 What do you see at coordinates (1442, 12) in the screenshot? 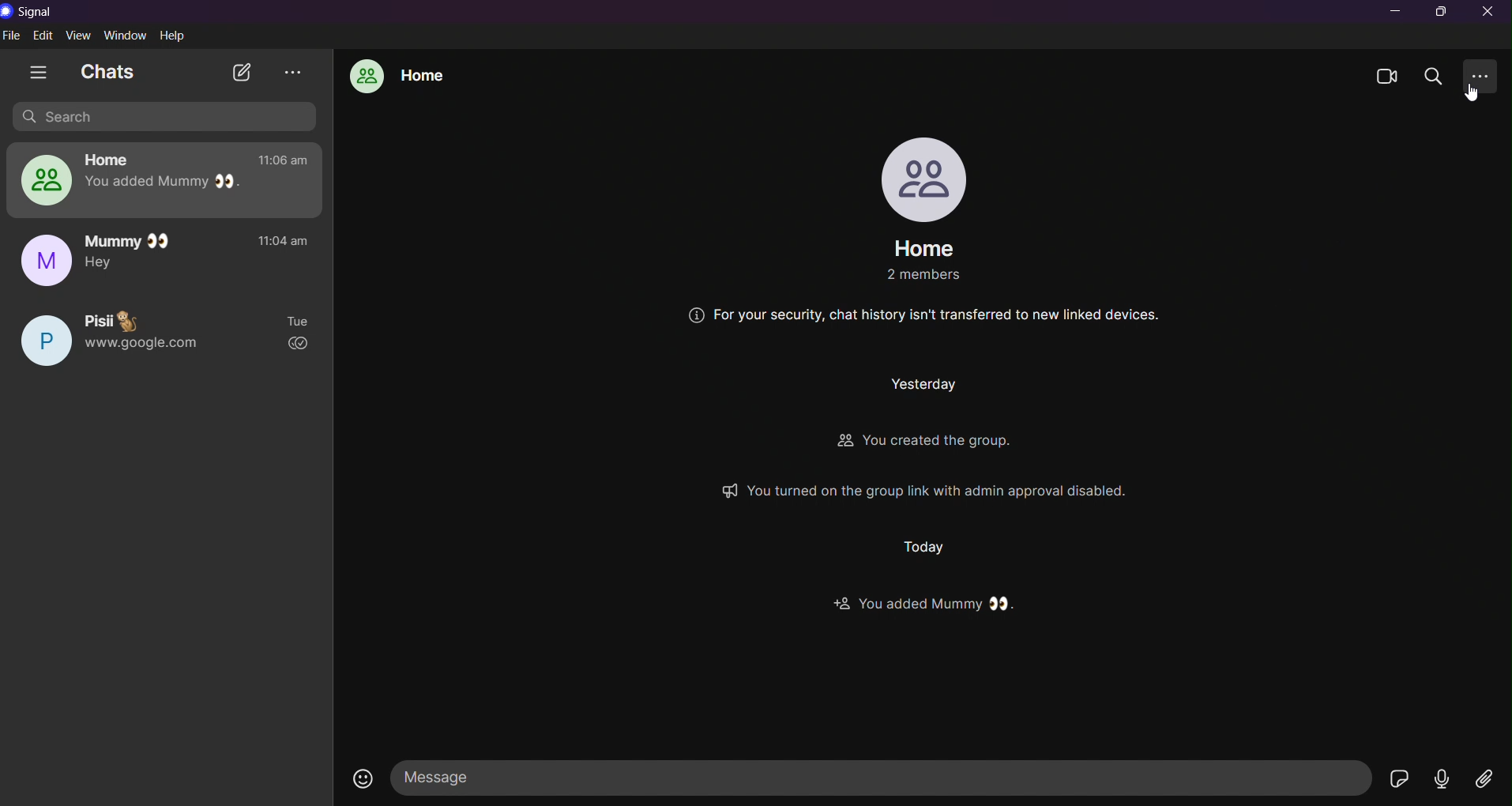
I see `maximize` at bounding box center [1442, 12].